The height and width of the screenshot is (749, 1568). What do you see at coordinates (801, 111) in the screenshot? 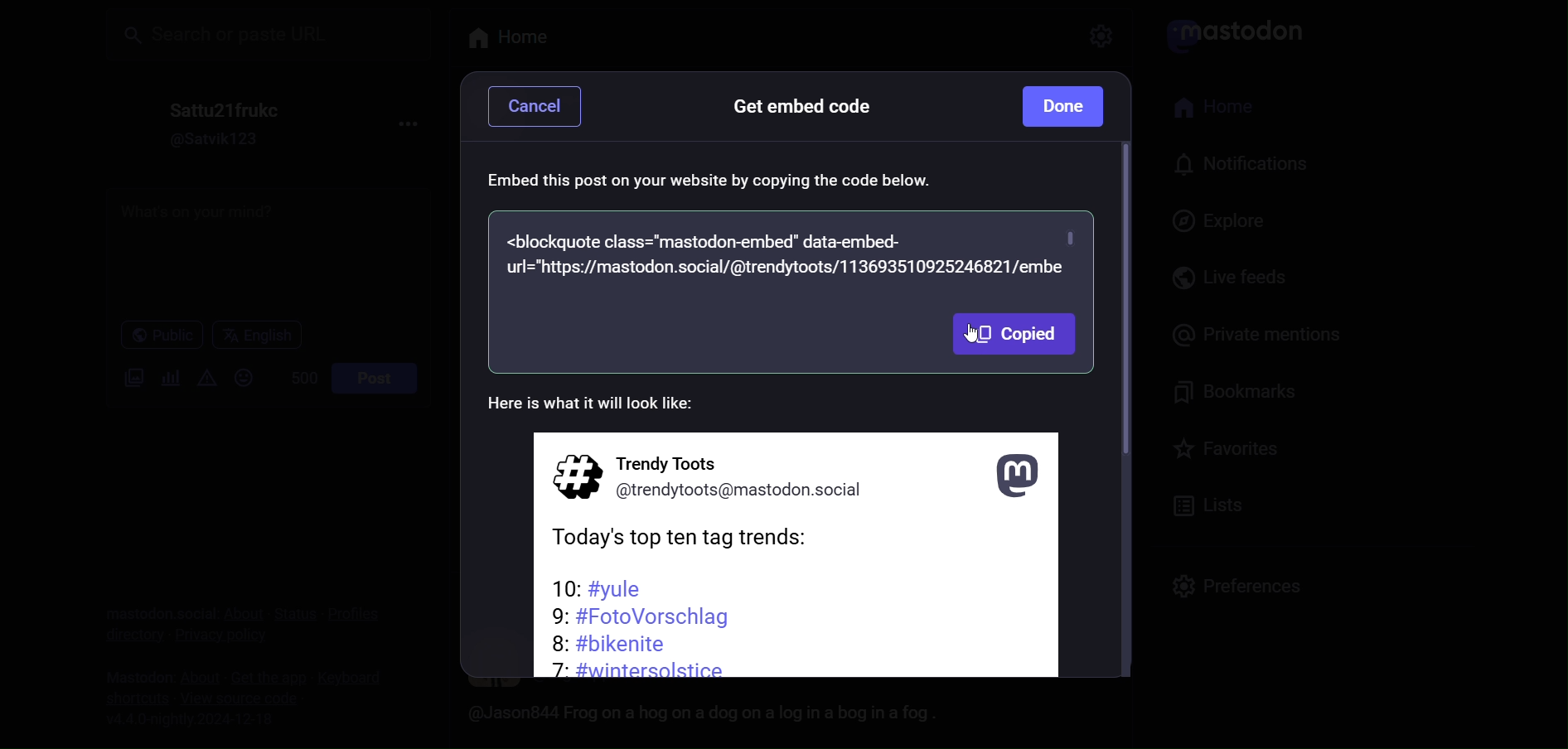
I see `get embed code` at bounding box center [801, 111].